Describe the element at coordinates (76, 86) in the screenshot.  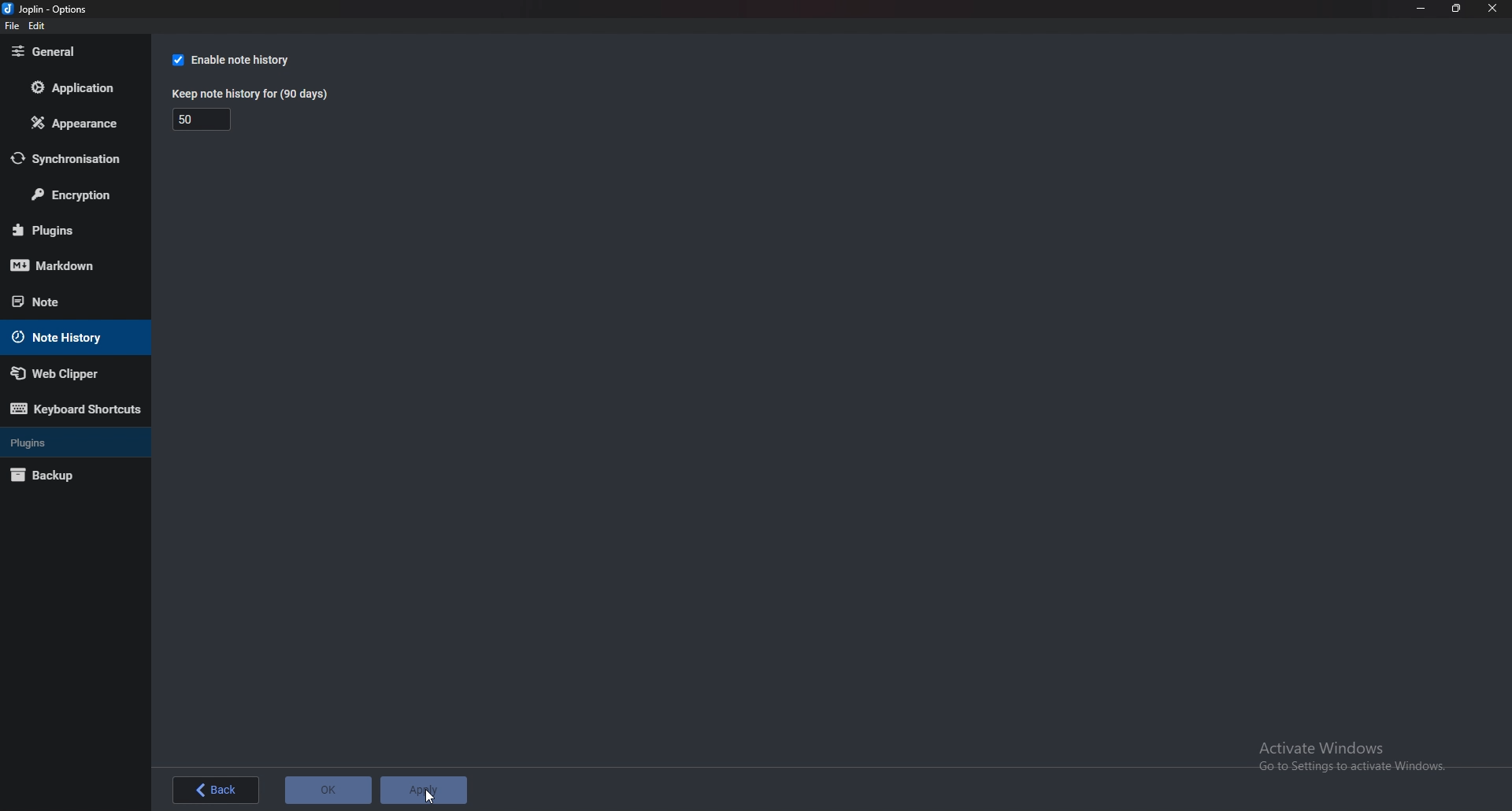
I see `Application` at that location.